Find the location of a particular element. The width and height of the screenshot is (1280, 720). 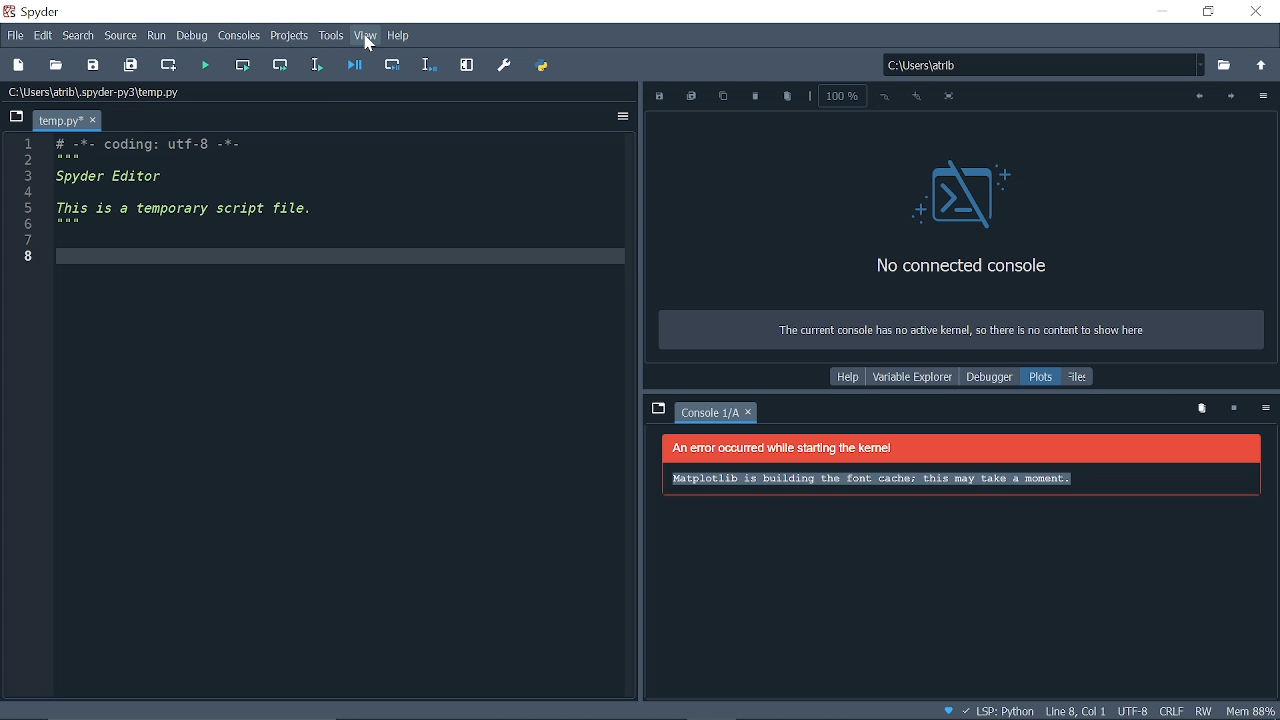

File is located at coordinates (13, 35).